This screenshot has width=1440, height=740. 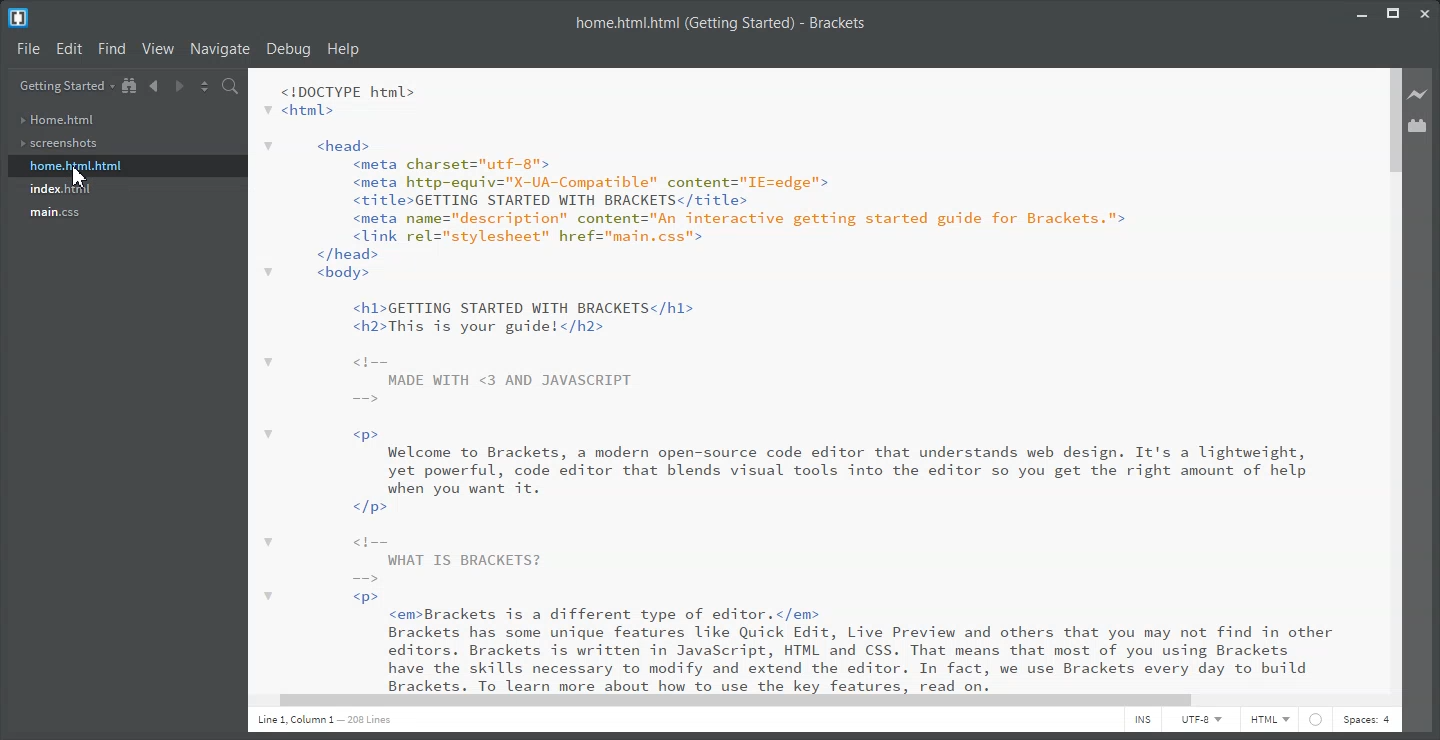 What do you see at coordinates (57, 120) in the screenshot?
I see `Home.html` at bounding box center [57, 120].